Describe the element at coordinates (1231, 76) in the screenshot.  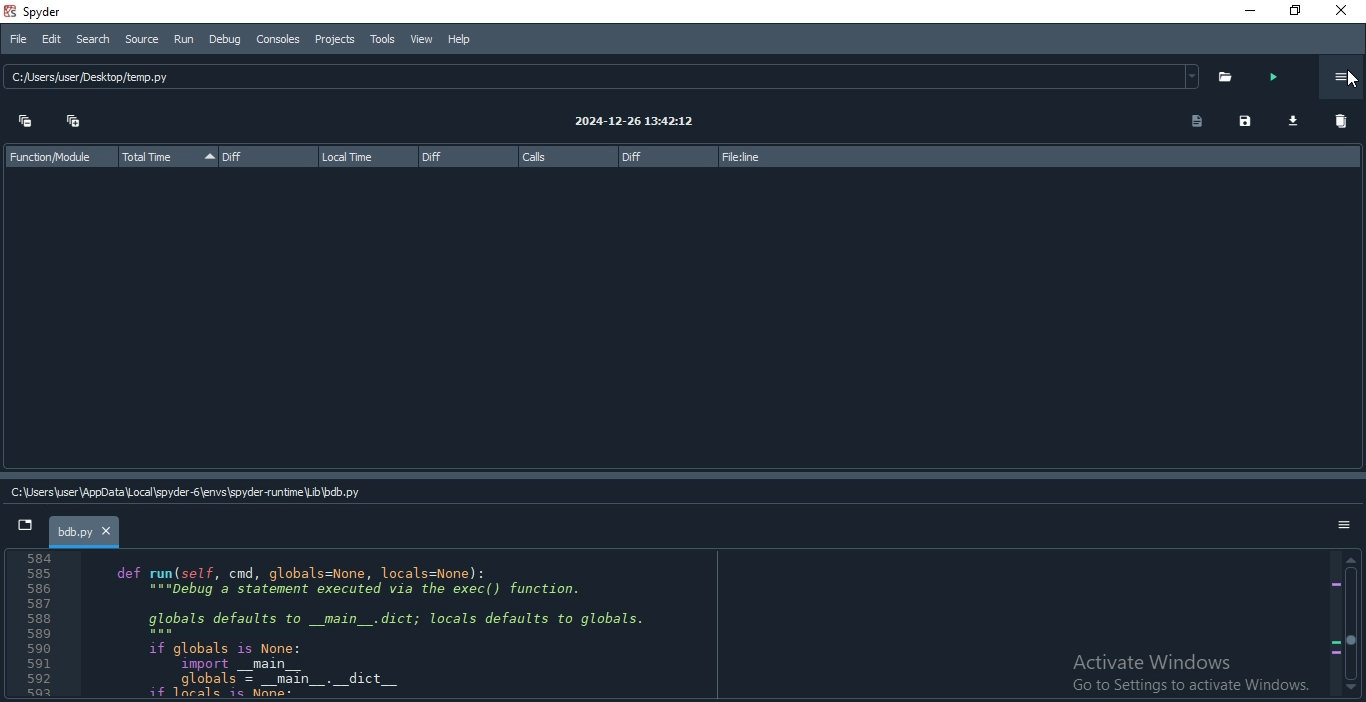
I see `open folder` at that location.